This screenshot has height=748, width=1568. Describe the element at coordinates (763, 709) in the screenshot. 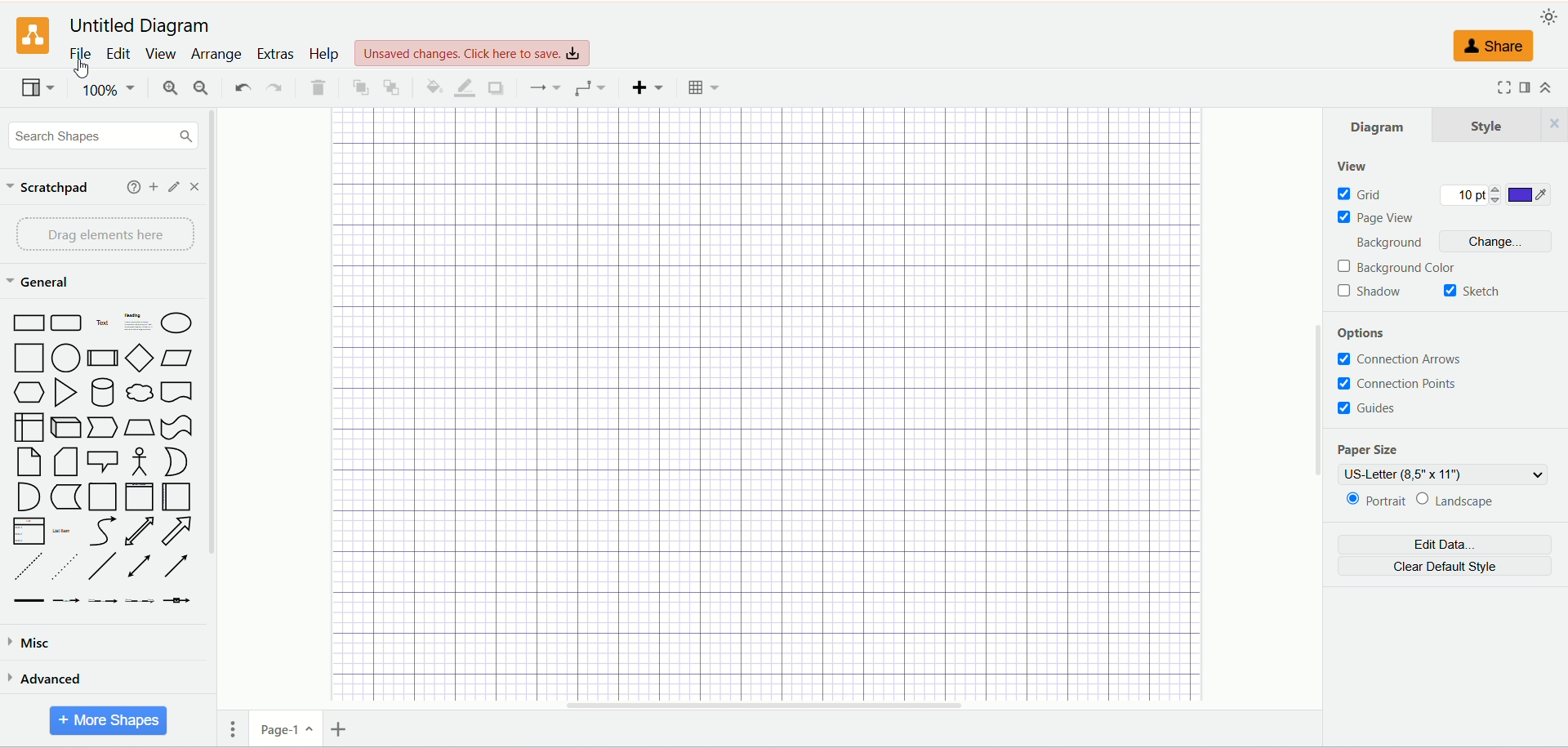

I see `horizontal scroll bar` at that location.